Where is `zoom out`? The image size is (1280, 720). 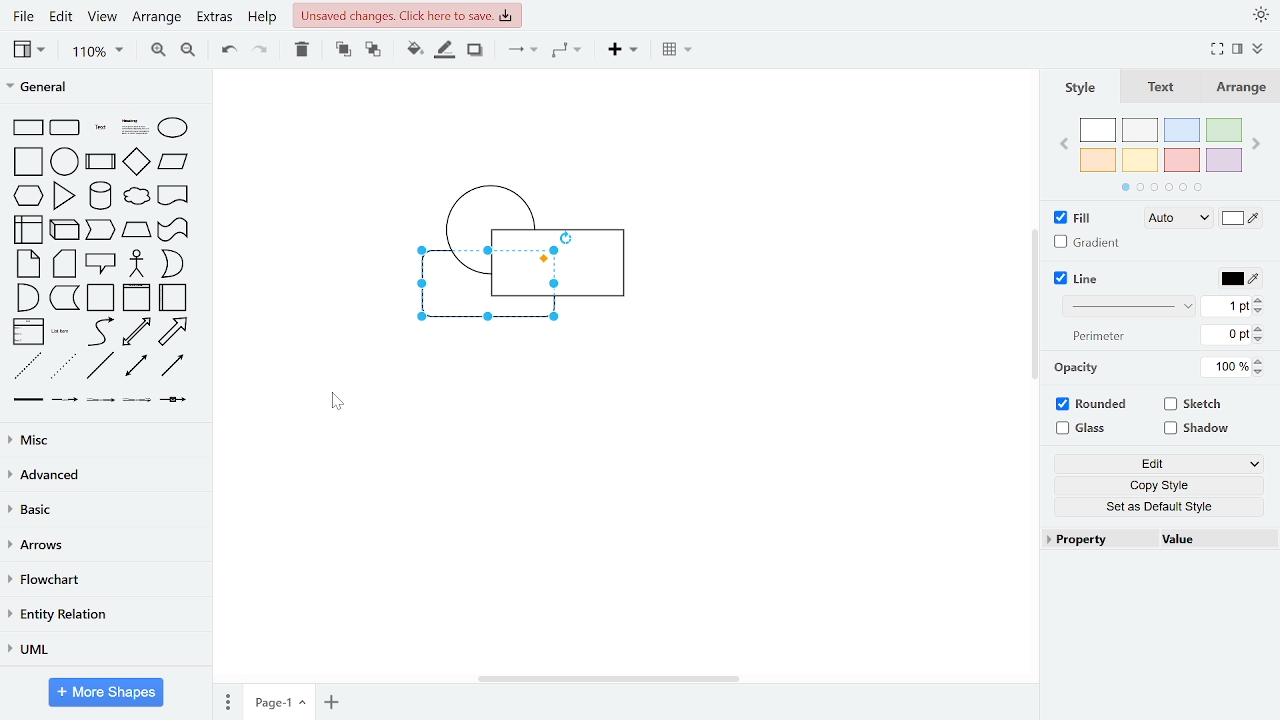
zoom out is located at coordinates (190, 51).